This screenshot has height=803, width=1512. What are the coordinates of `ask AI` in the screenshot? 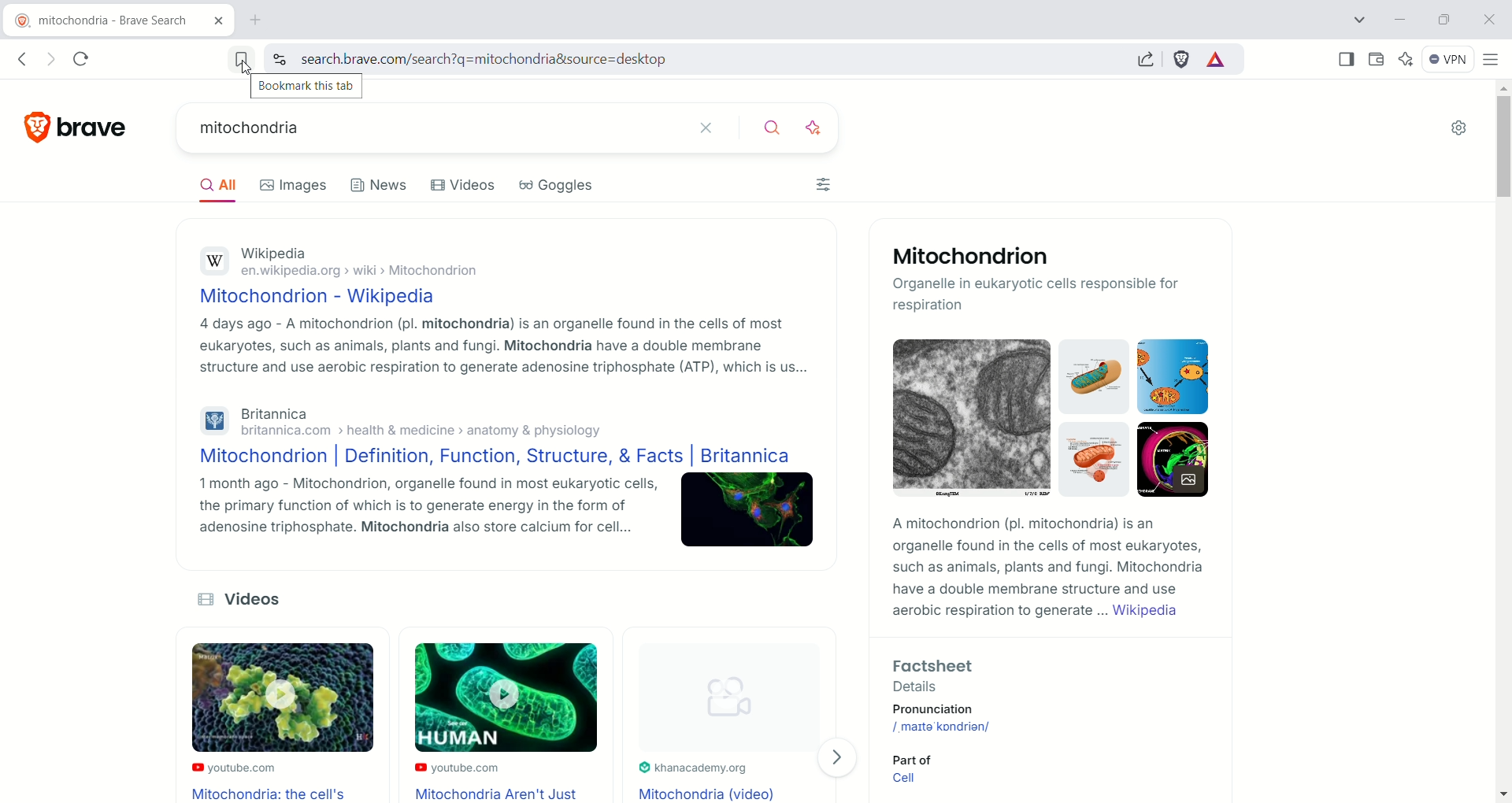 It's located at (815, 126).